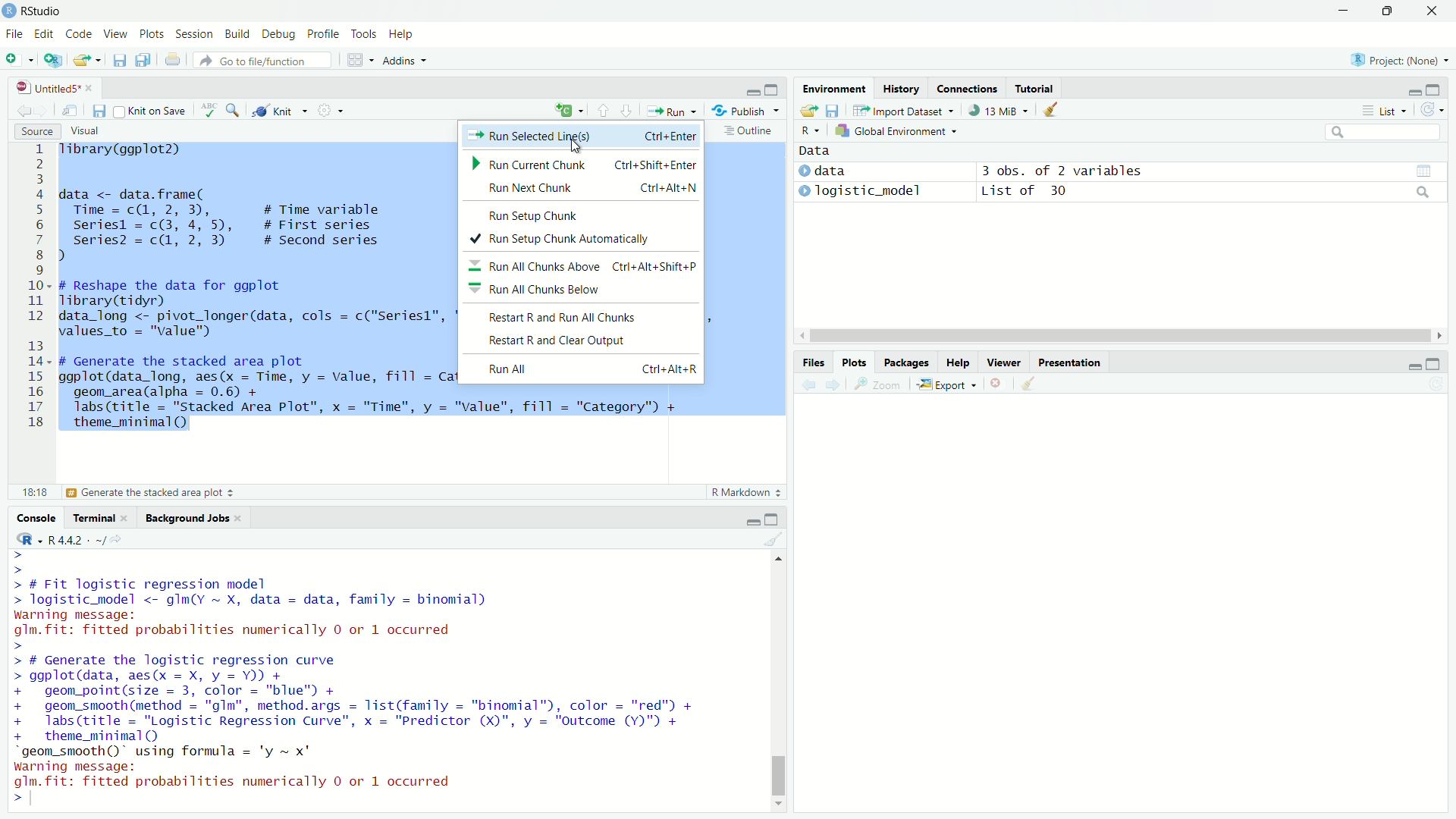 This screenshot has width=1456, height=819. Describe the element at coordinates (39, 10) in the screenshot. I see `RStudio` at that location.